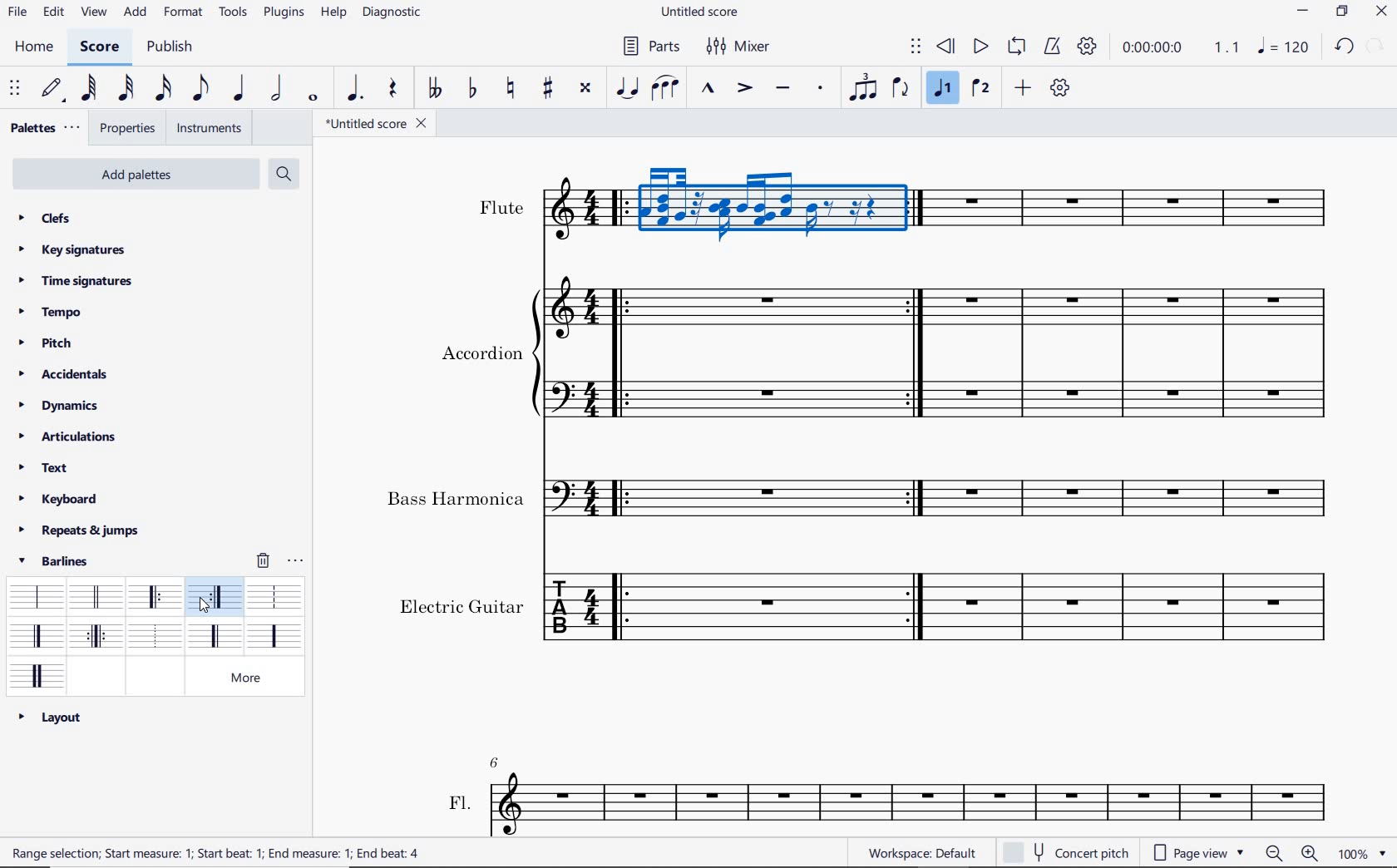 The image size is (1397, 868). What do you see at coordinates (274, 636) in the screenshot?
I see `dashed barline` at bounding box center [274, 636].